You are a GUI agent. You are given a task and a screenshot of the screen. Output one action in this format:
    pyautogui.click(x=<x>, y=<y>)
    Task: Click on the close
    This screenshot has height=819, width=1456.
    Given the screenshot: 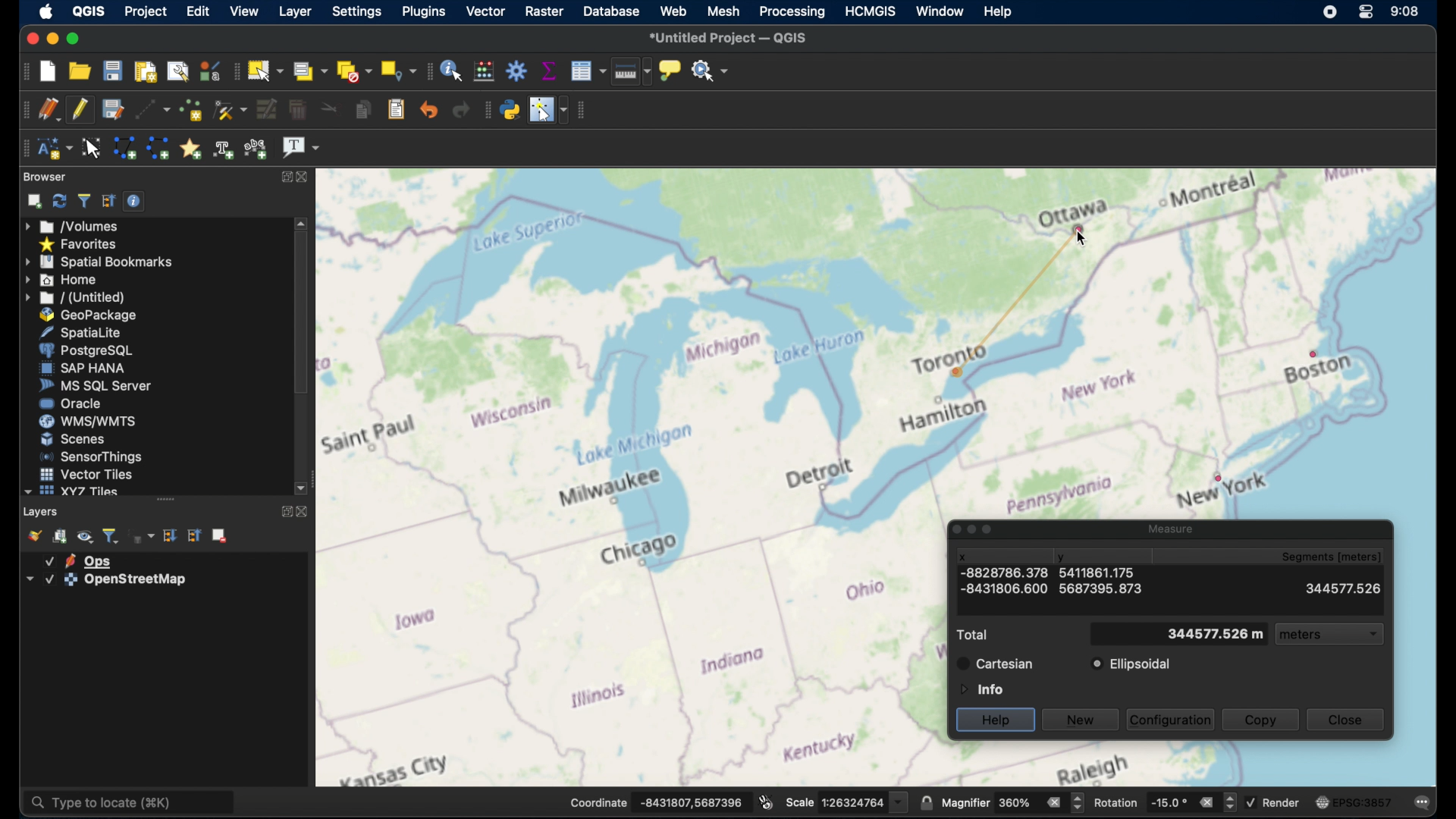 What is the action you would take?
    pyautogui.click(x=303, y=513)
    